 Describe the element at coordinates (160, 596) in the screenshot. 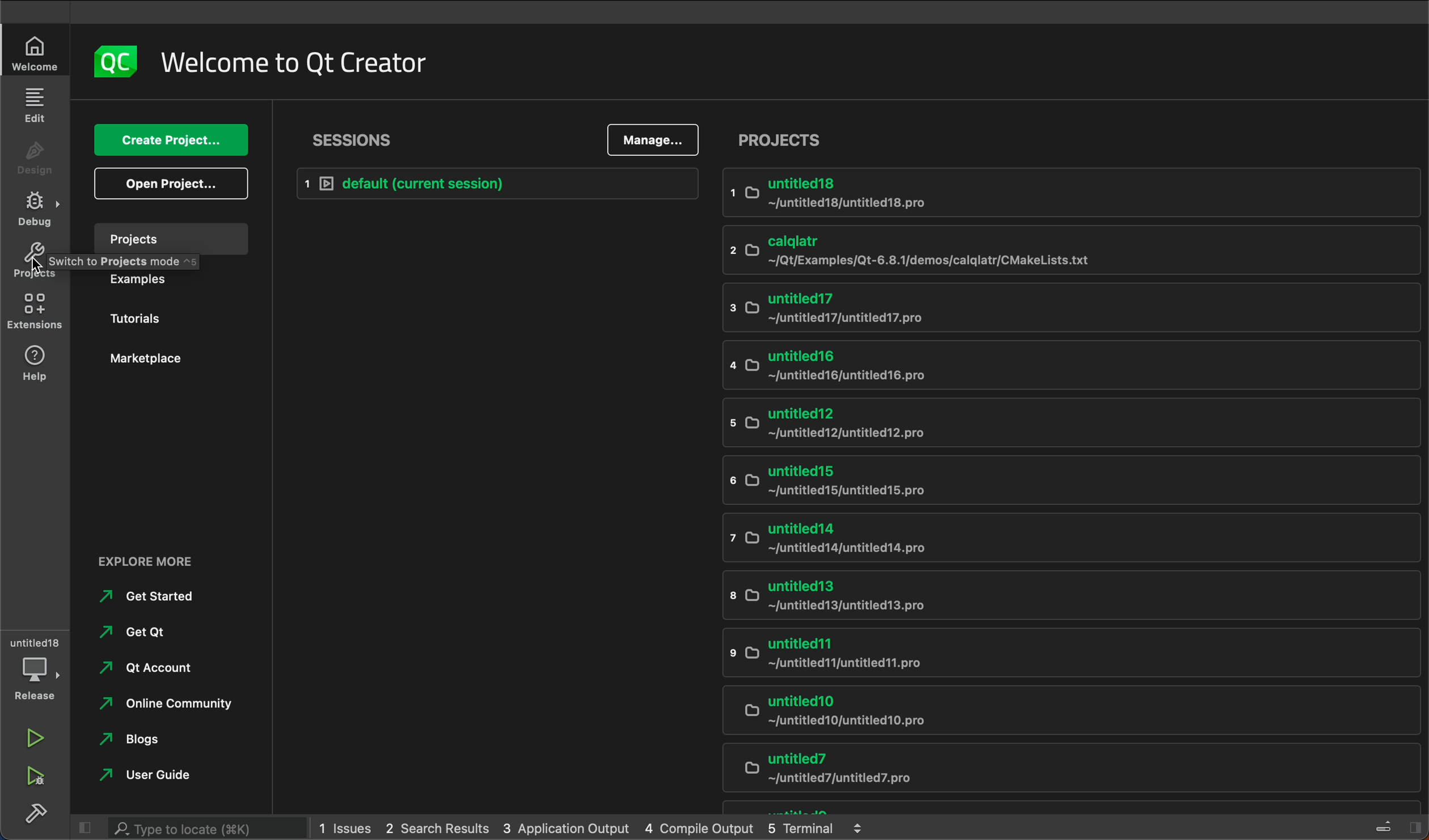

I see `get styarted` at that location.